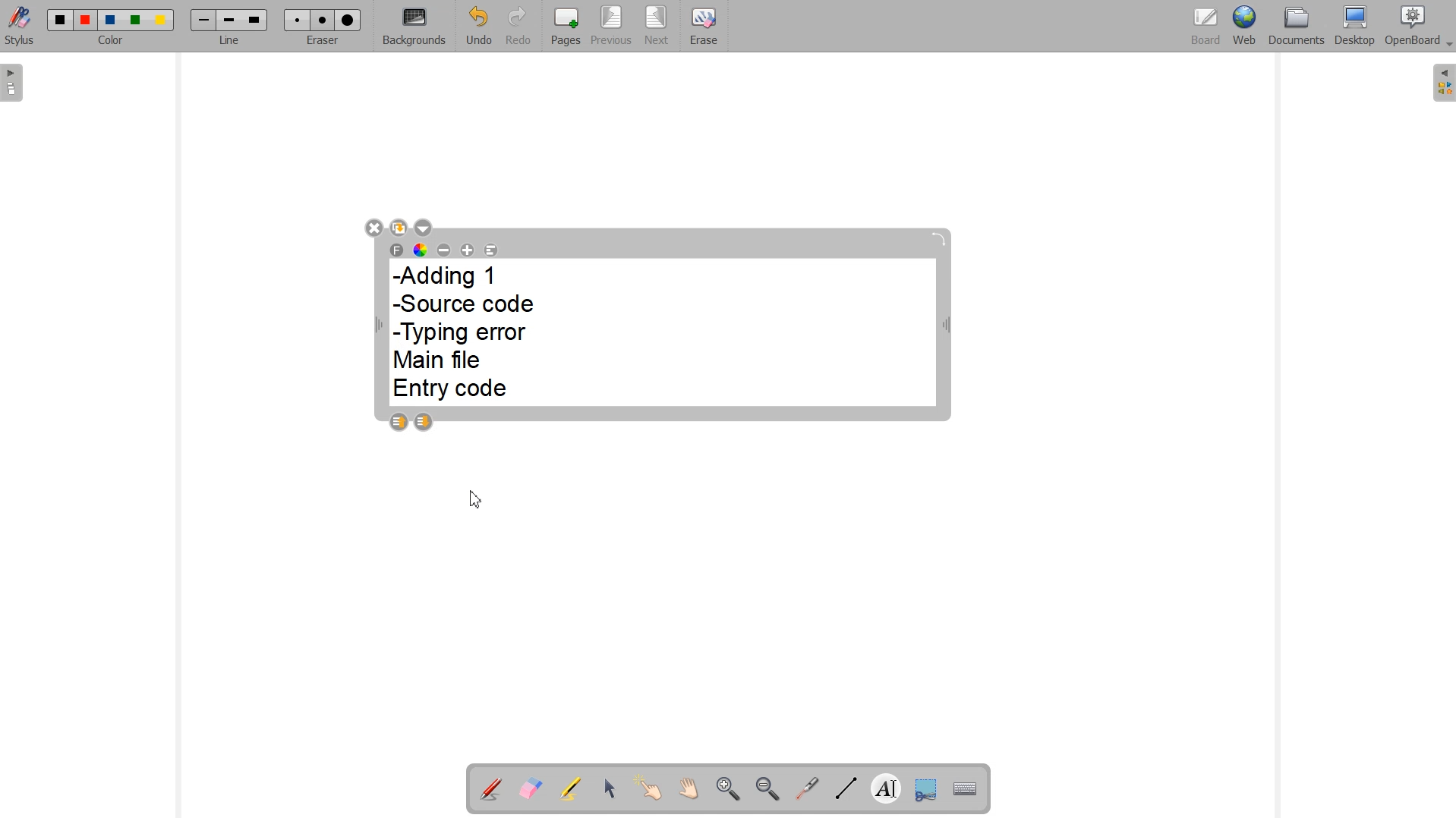  Describe the element at coordinates (323, 20) in the screenshot. I see `Medium eraser` at that location.